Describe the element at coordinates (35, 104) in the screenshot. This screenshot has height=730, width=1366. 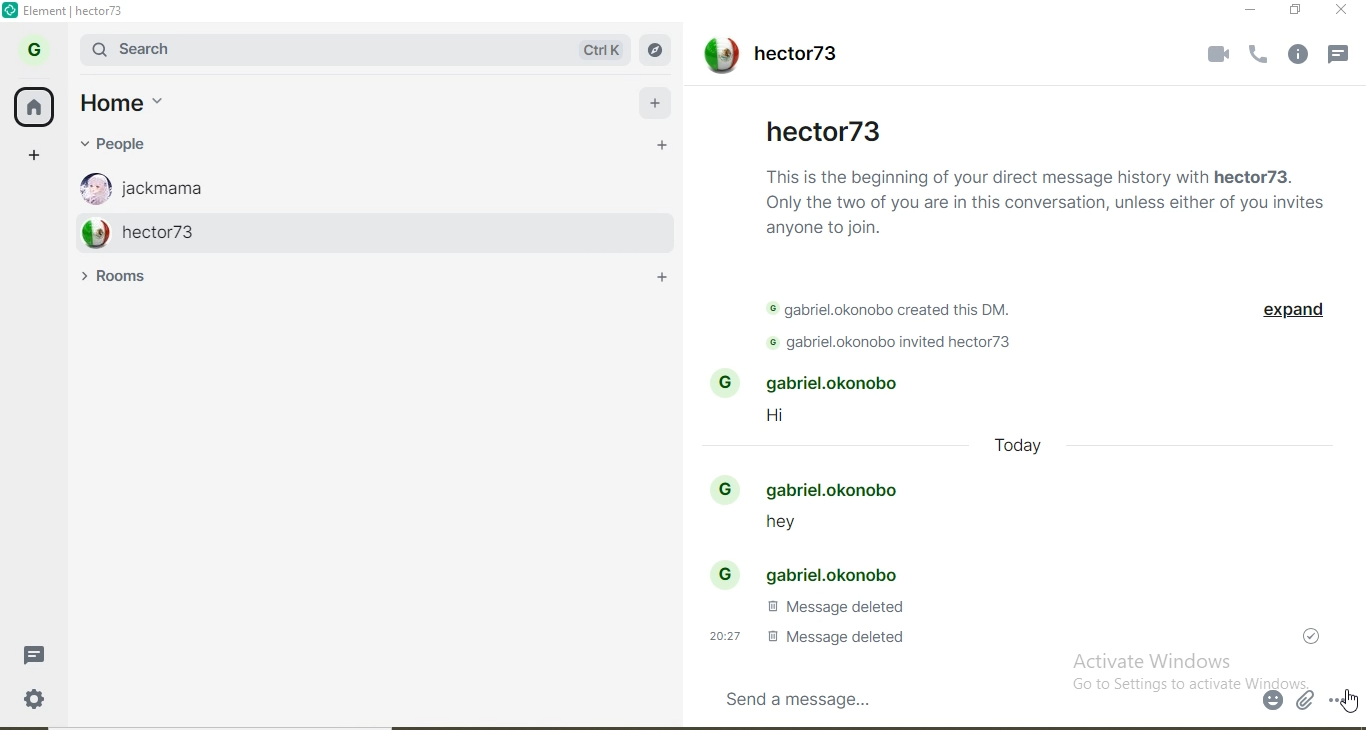
I see `home` at that location.